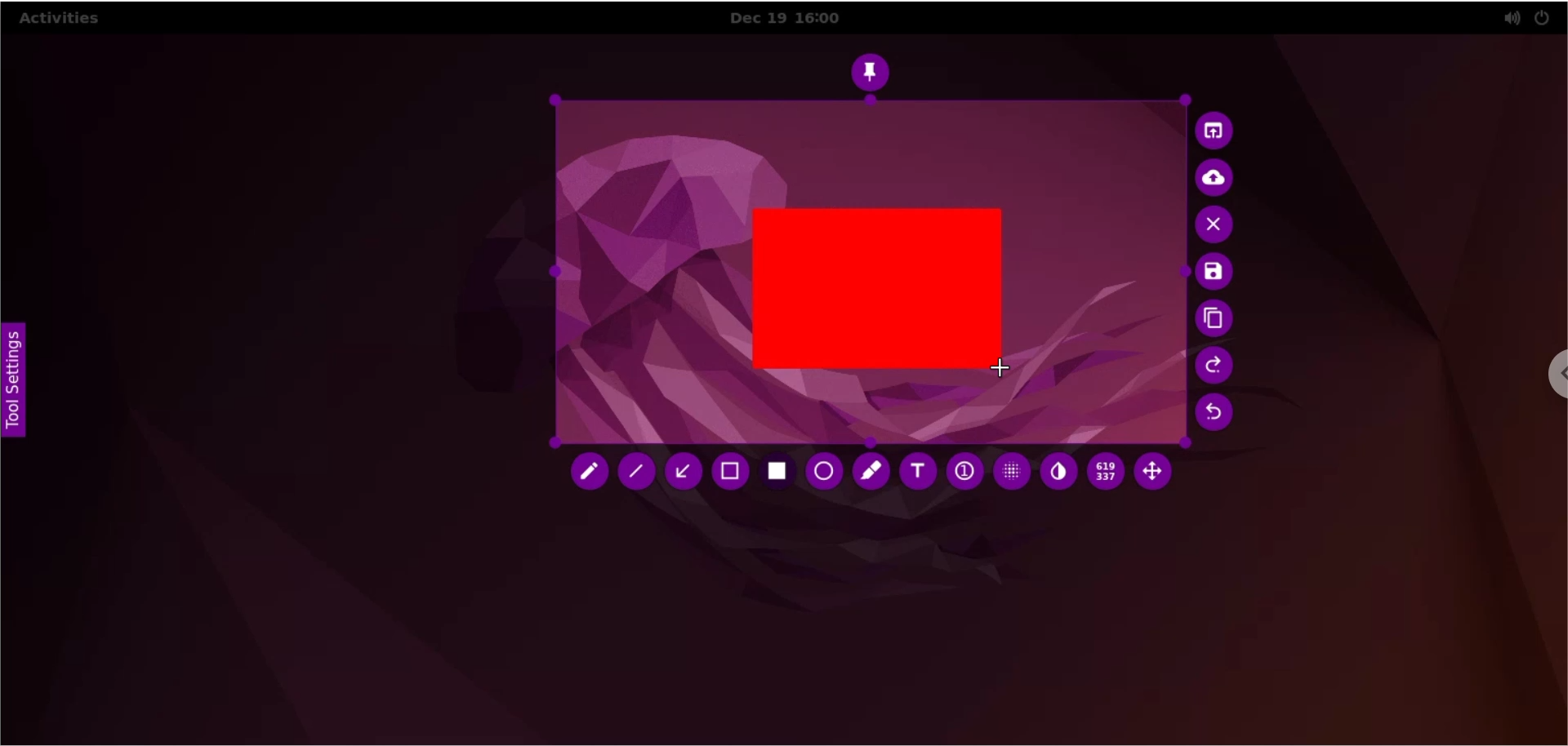 The height and width of the screenshot is (746, 1568). Describe the element at coordinates (875, 69) in the screenshot. I see `pin ` at that location.